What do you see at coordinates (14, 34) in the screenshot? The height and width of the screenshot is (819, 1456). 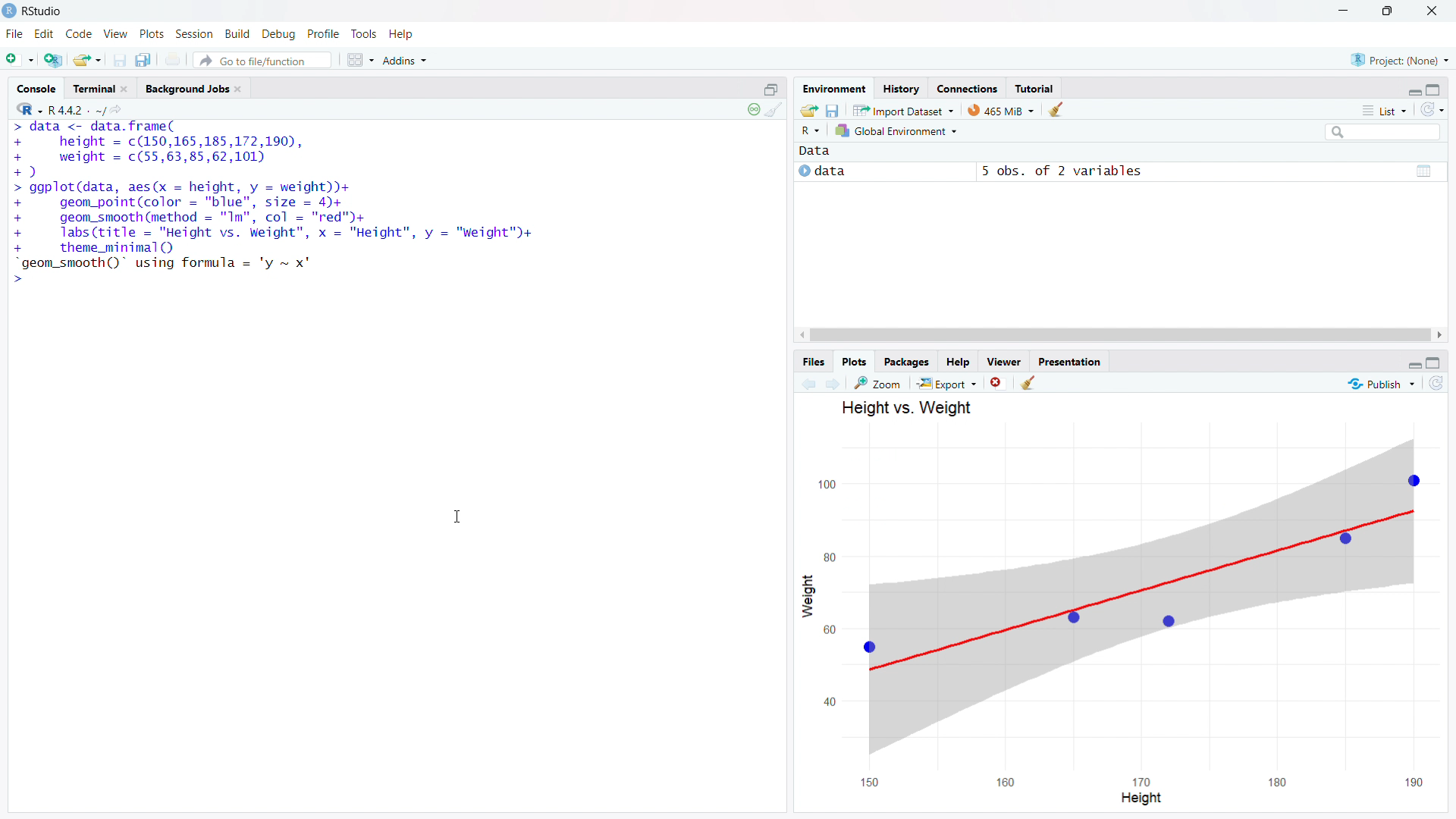 I see `file` at bounding box center [14, 34].